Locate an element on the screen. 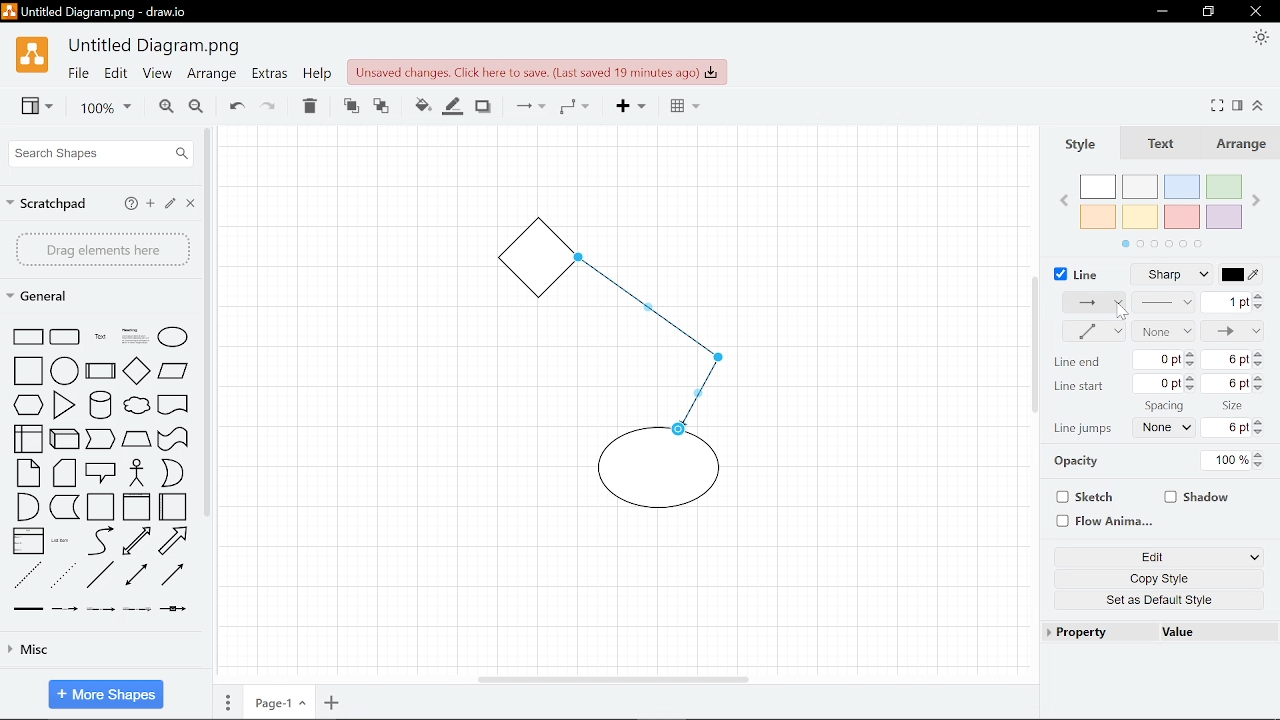 The width and height of the screenshot is (1280, 720). Delete is located at coordinates (311, 106).